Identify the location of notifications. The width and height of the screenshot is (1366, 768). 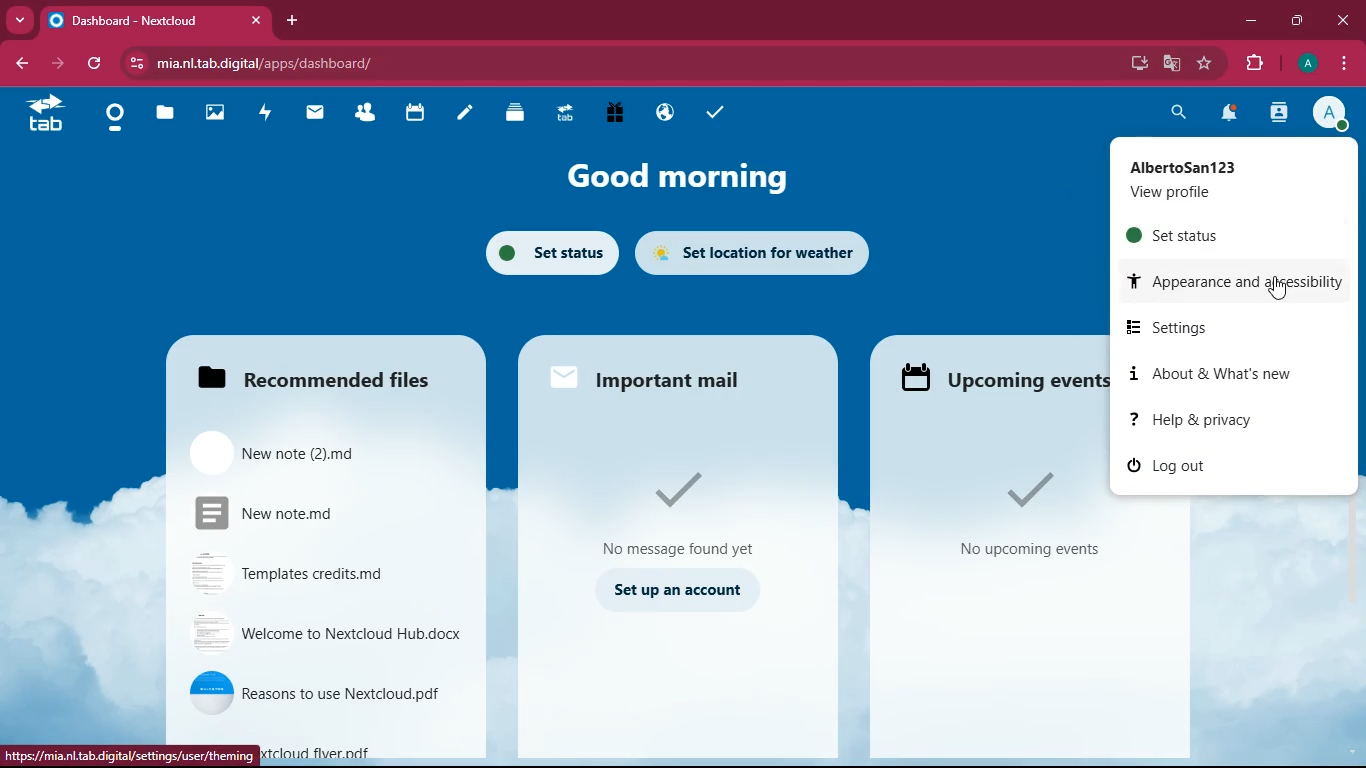
(1228, 114).